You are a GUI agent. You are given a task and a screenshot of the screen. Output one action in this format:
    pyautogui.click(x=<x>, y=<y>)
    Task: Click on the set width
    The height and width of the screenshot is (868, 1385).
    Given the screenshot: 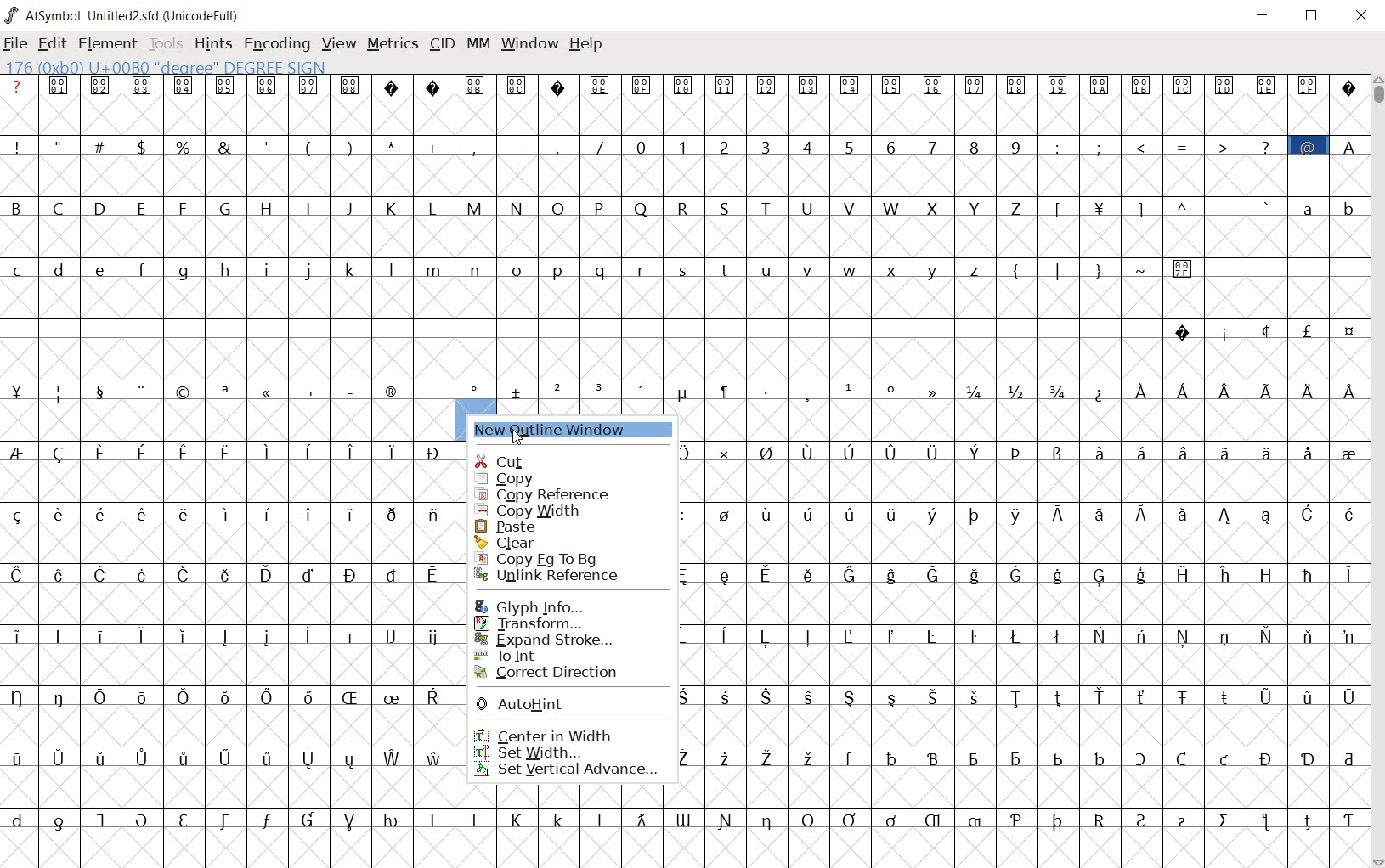 What is the action you would take?
    pyautogui.click(x=573, y=752)
    